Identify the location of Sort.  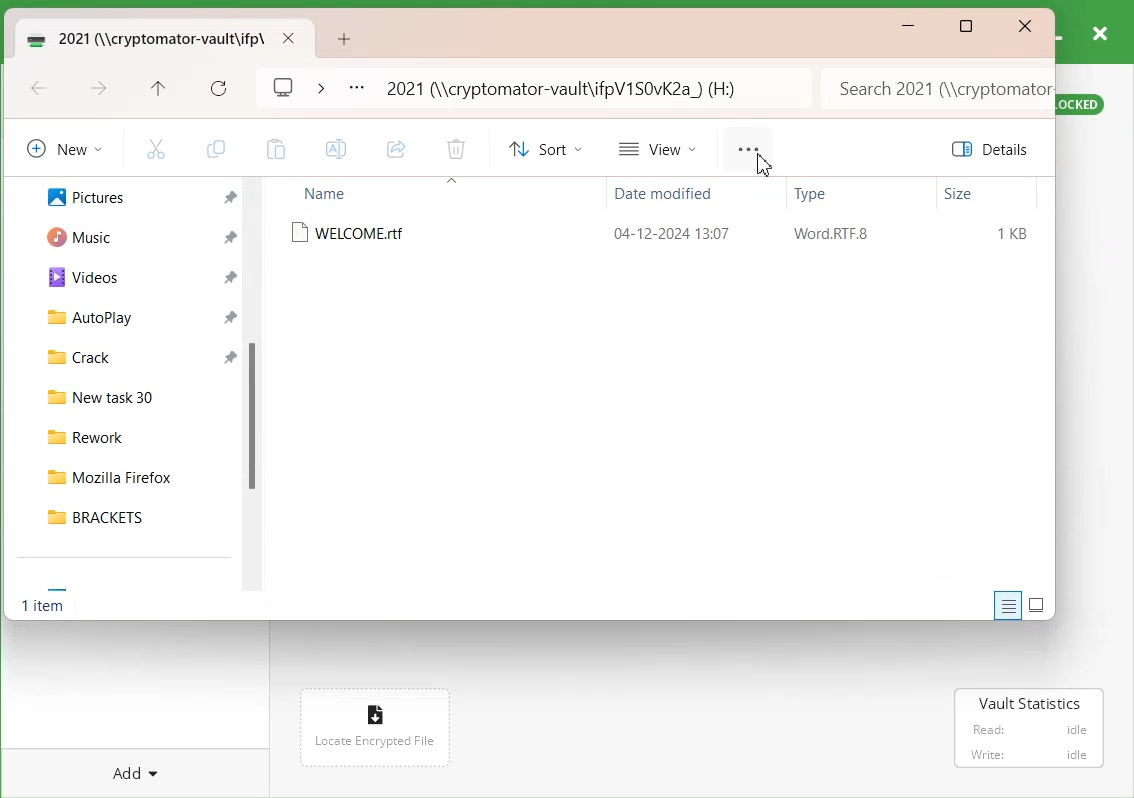
(542, 149).